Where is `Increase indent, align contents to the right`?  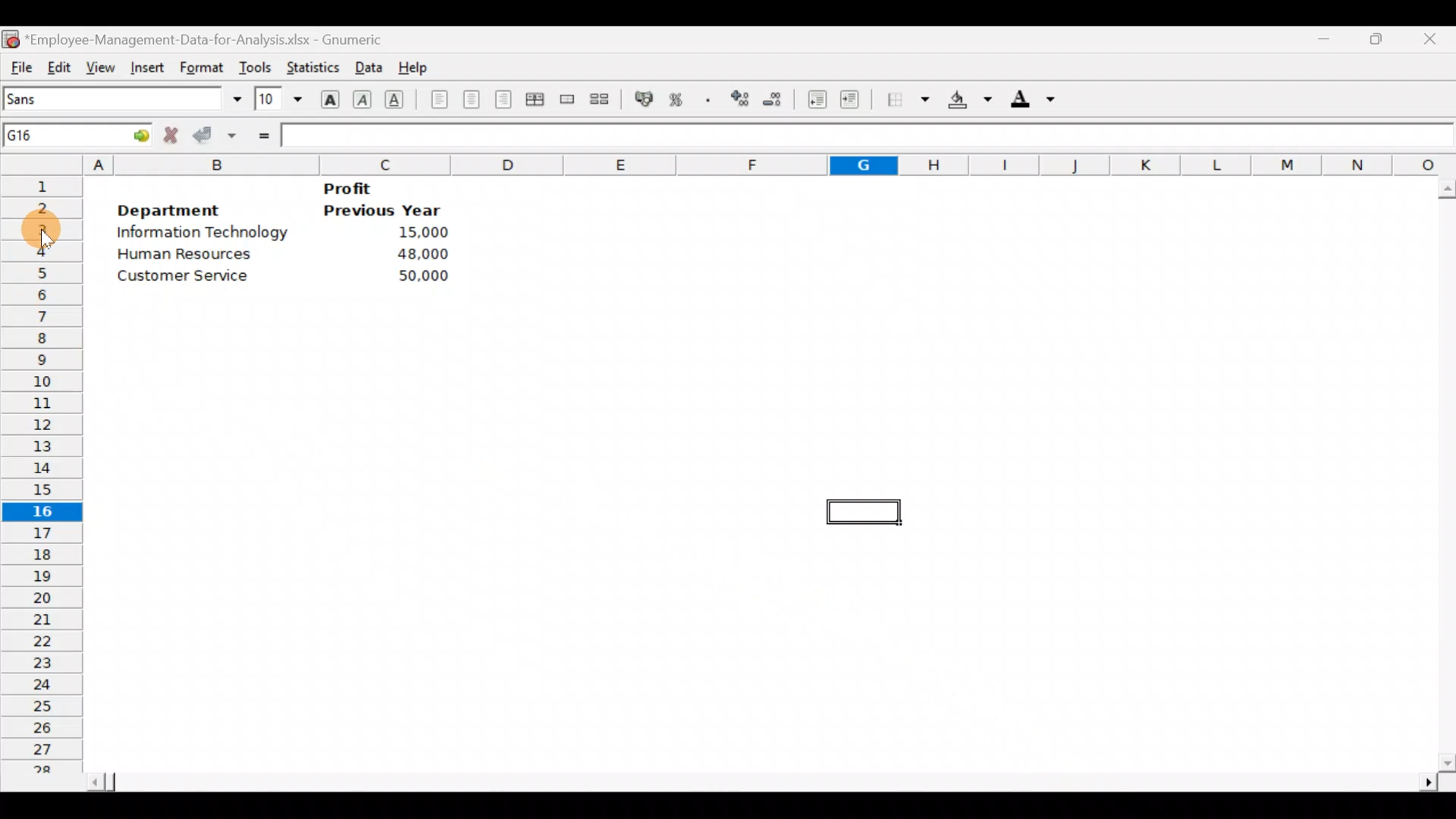 Increase indent, align contents to the right is located at coordinates (852, 101).